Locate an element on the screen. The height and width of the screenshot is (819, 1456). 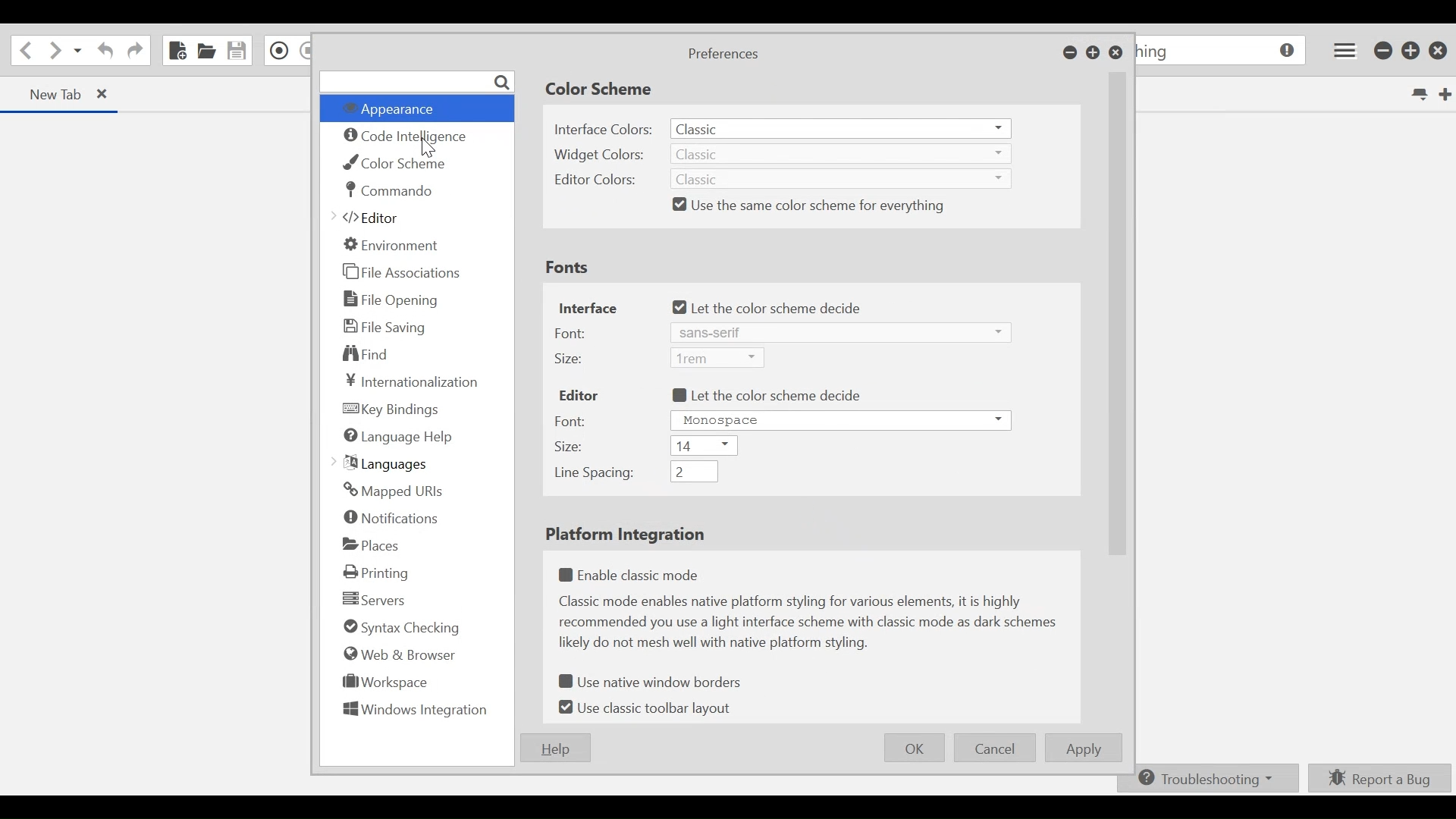
Use classic toolbar layout is located at coordinates (650, 708).